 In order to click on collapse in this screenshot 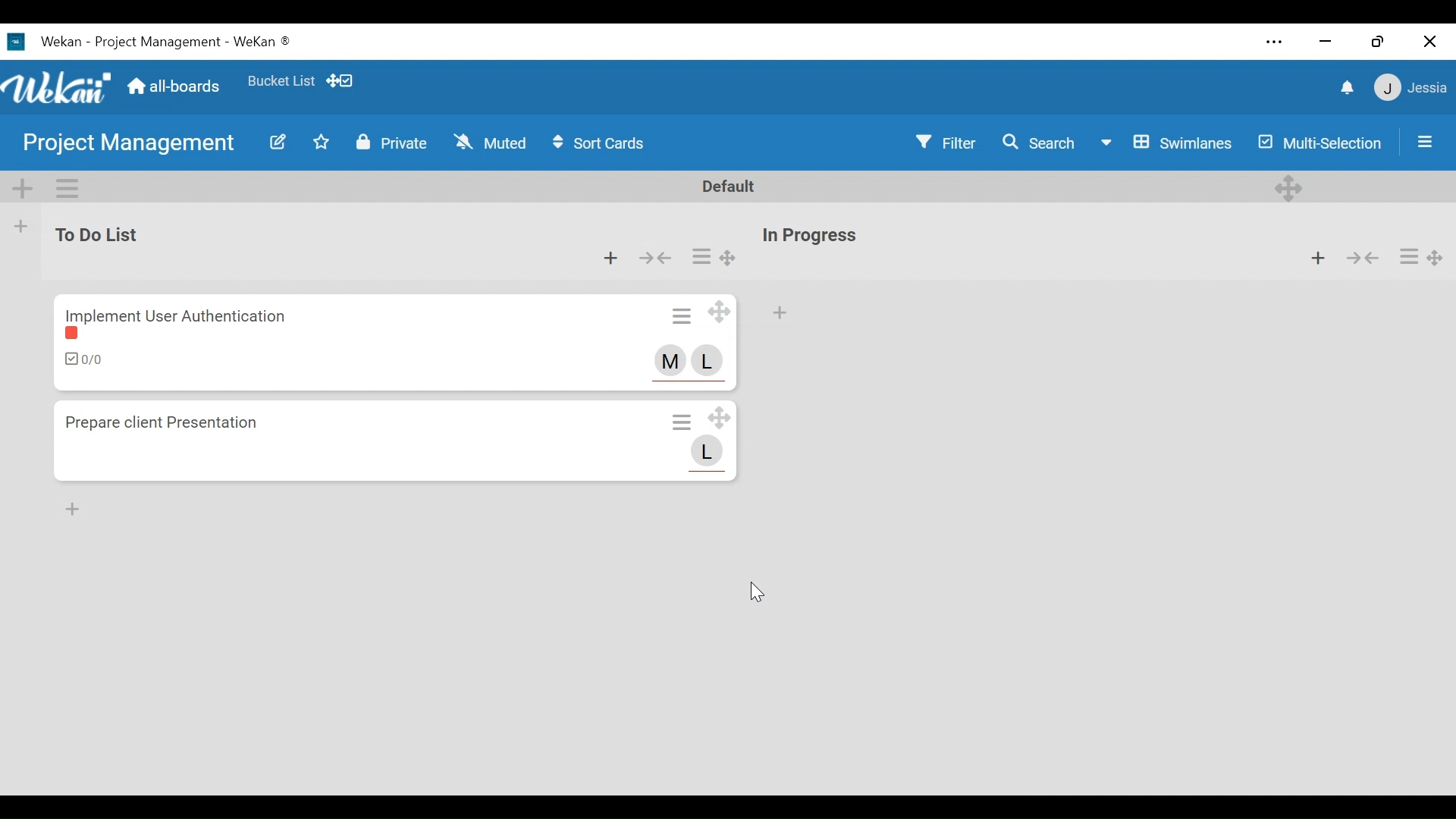, I will do `click(657, 258)`.